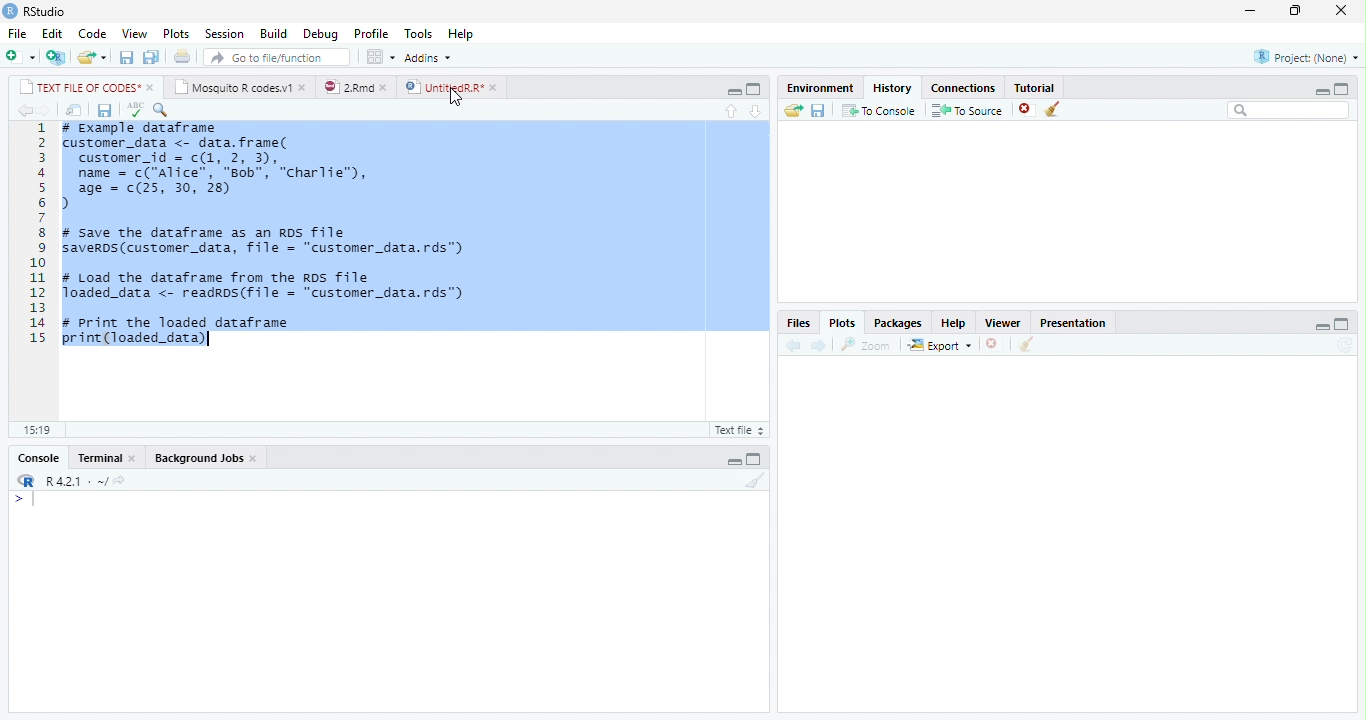 The height and width of the screenshot is (720, 1366). I want to click on forward, so click(46, 111).